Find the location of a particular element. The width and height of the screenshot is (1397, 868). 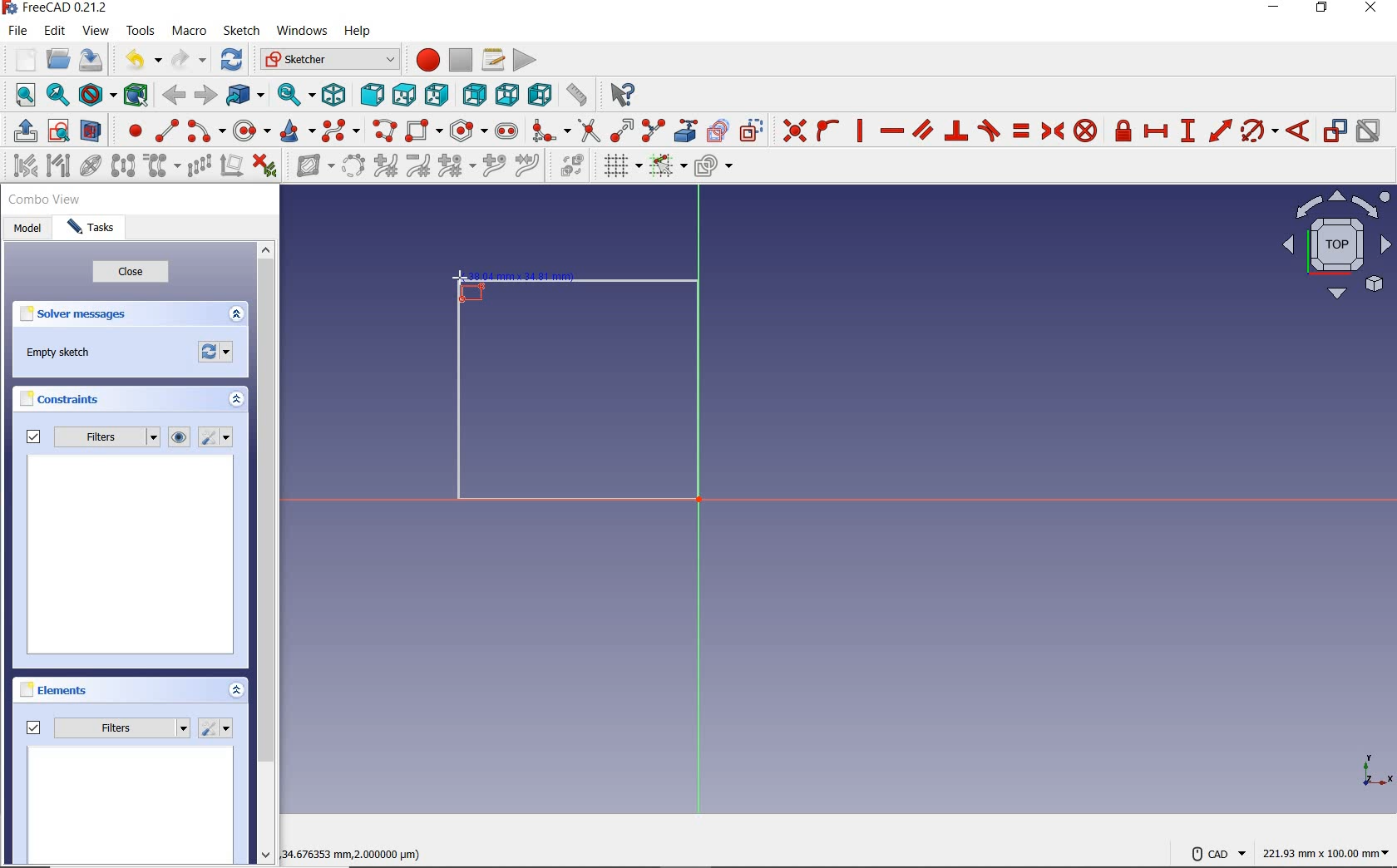

Isometric view is located at coordinates (1337, 248).